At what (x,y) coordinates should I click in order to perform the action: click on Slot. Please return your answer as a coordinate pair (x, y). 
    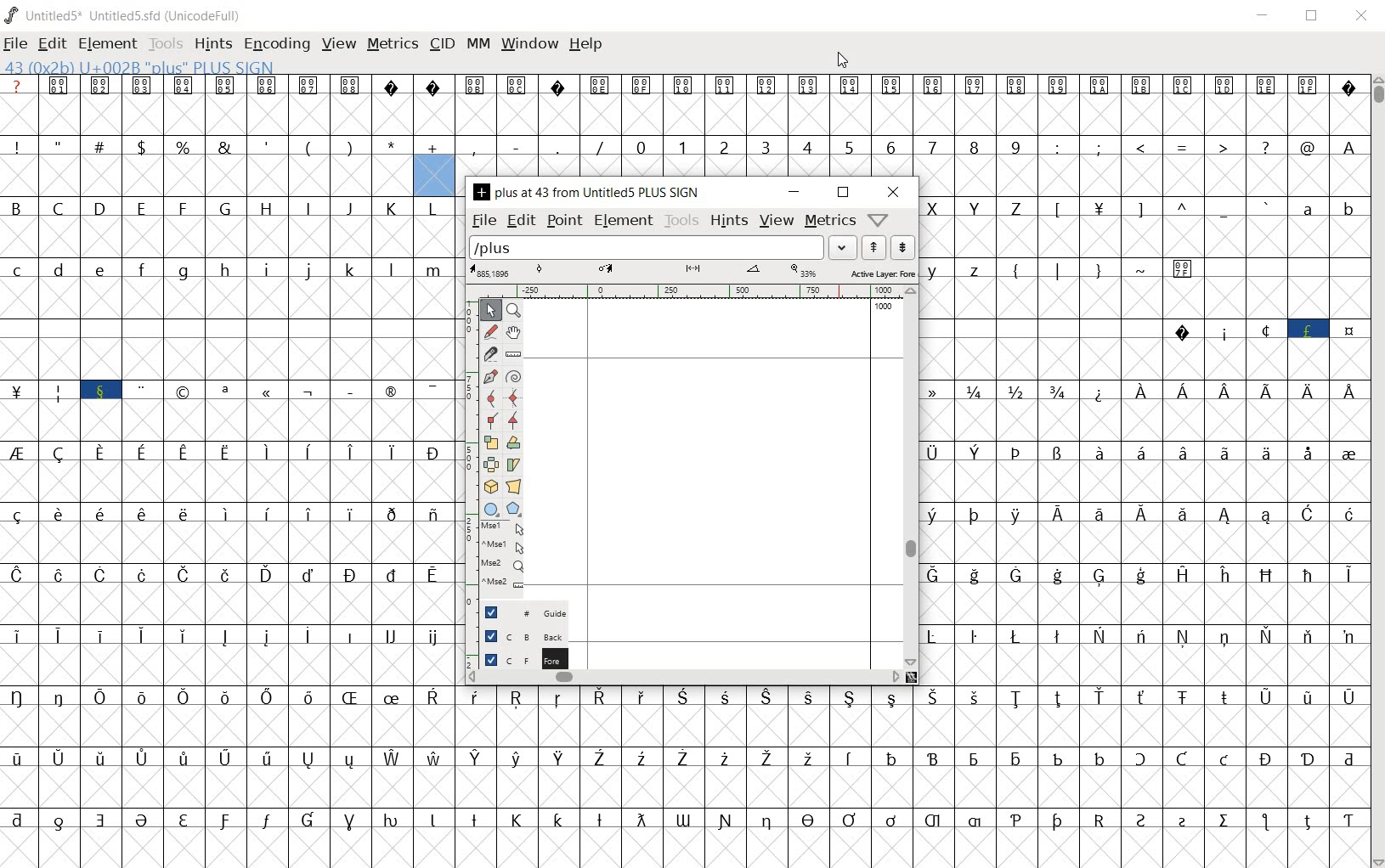
    Looking at the image, I should click on (1284, 287).